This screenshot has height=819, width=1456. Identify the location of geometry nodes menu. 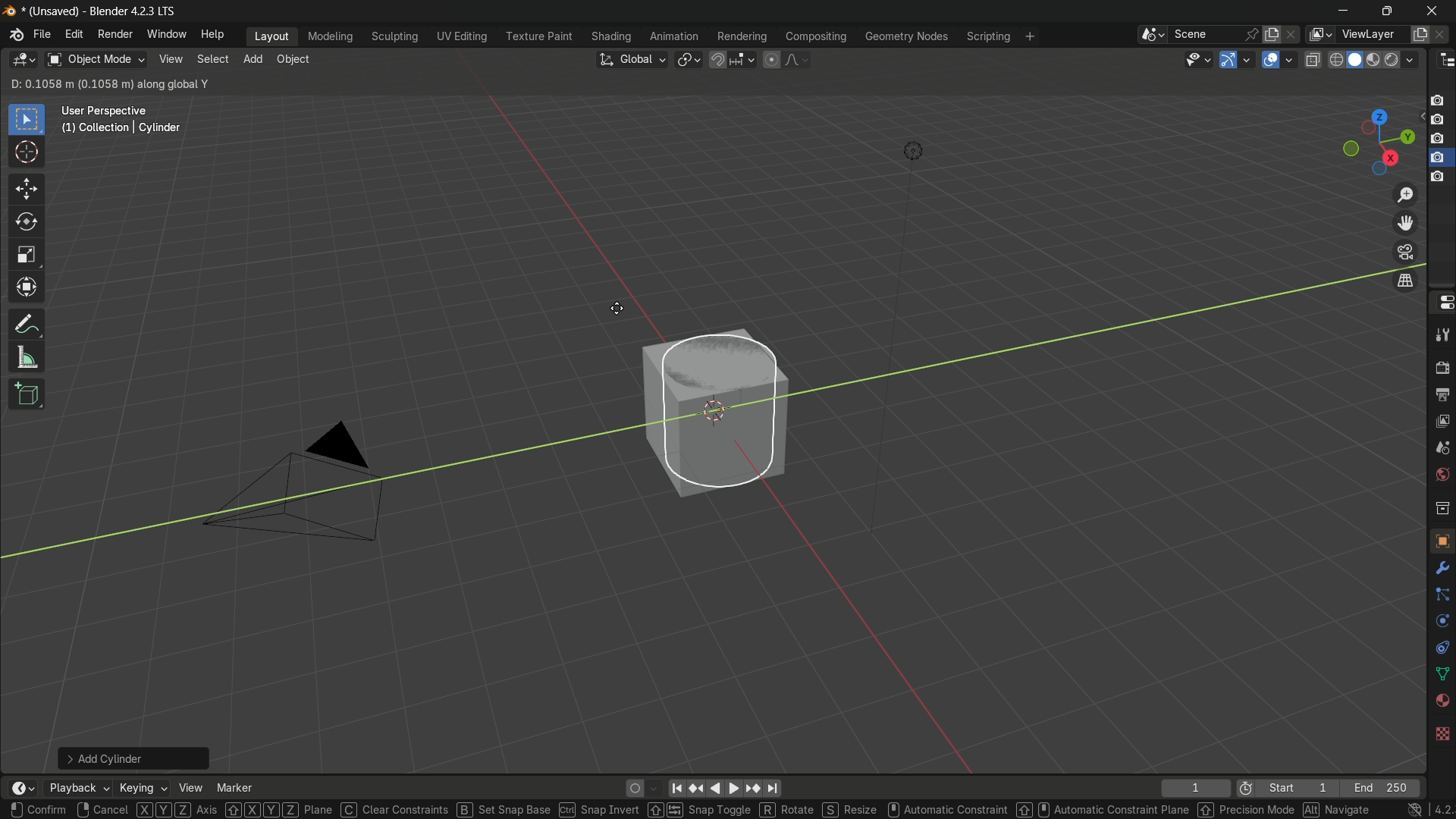
(907, 37).